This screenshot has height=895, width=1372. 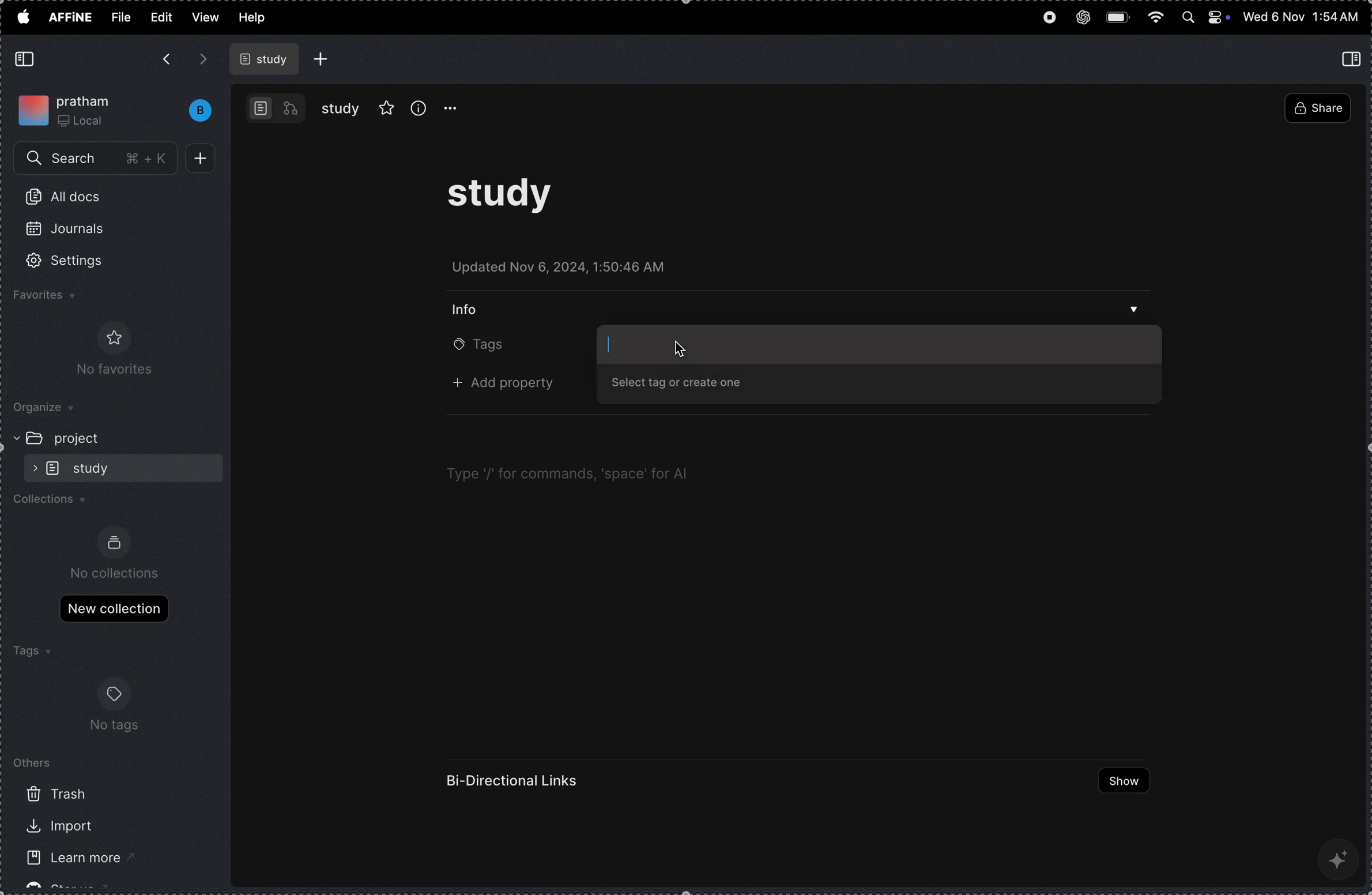 I want to click on record, so click(x=1048, y=19).